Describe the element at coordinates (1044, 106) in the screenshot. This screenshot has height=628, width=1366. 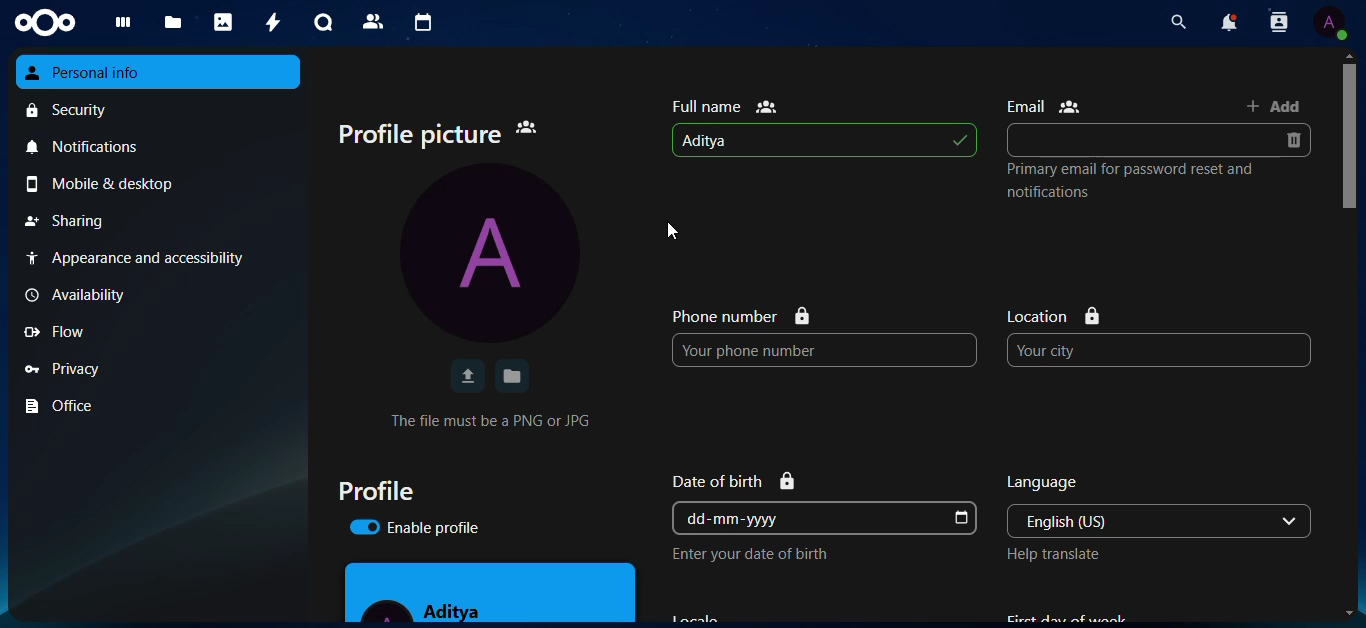
I see `email` at that location.